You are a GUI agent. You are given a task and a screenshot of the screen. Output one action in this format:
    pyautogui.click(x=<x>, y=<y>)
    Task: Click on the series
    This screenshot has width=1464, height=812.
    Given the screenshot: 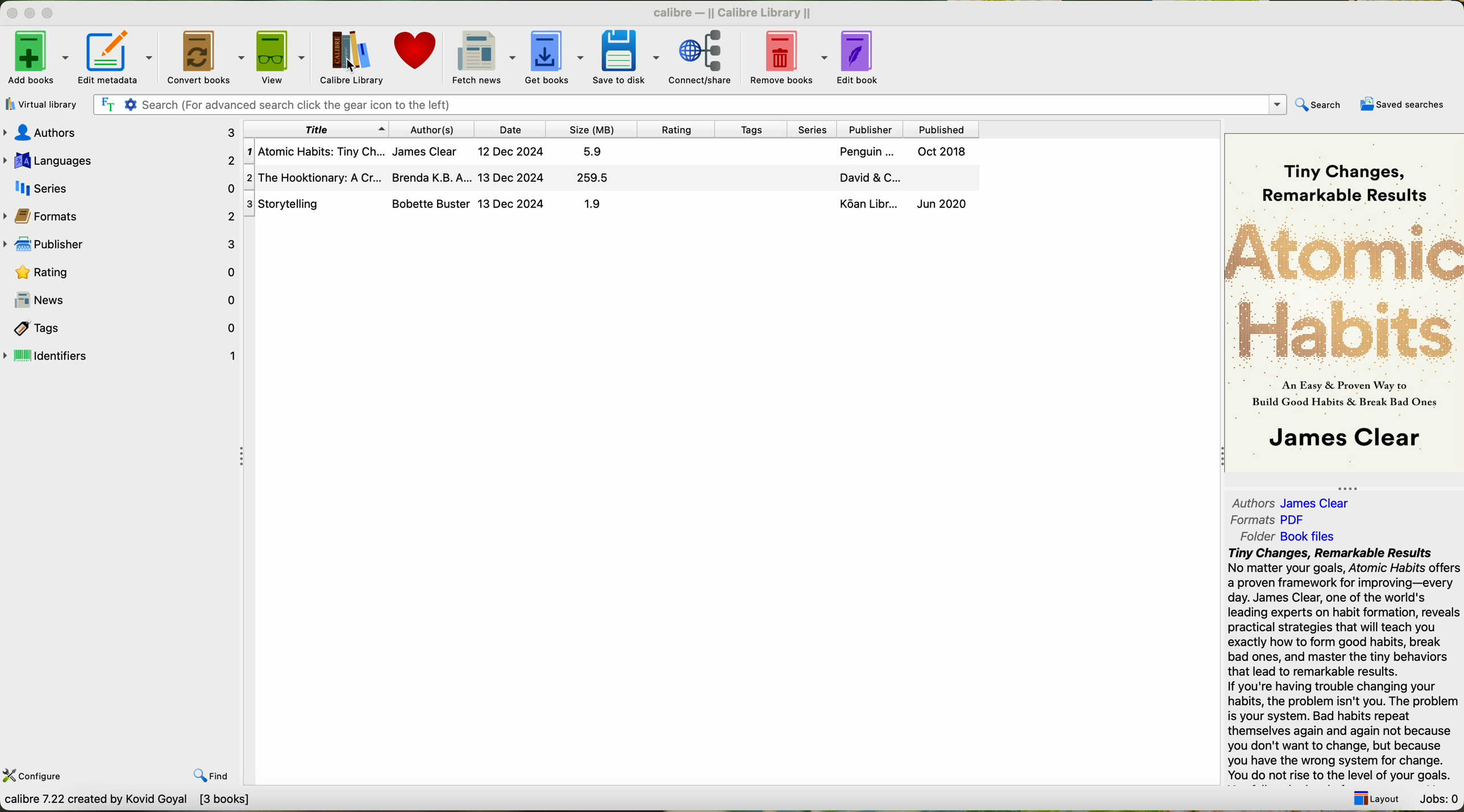 What is the action you would take?
    pyautogui.click(x=816, y=129)
    